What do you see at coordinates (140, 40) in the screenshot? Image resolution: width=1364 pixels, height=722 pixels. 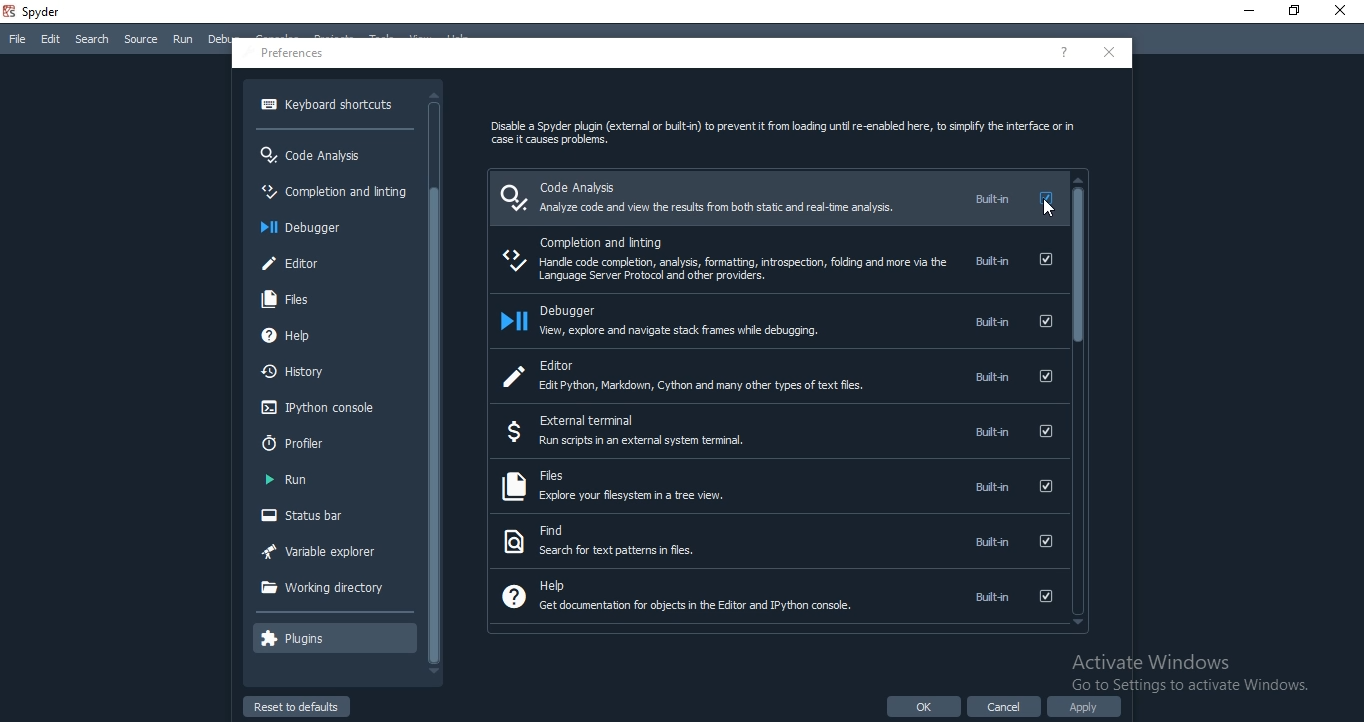 I see `Source` at bounding box center [140, 40].